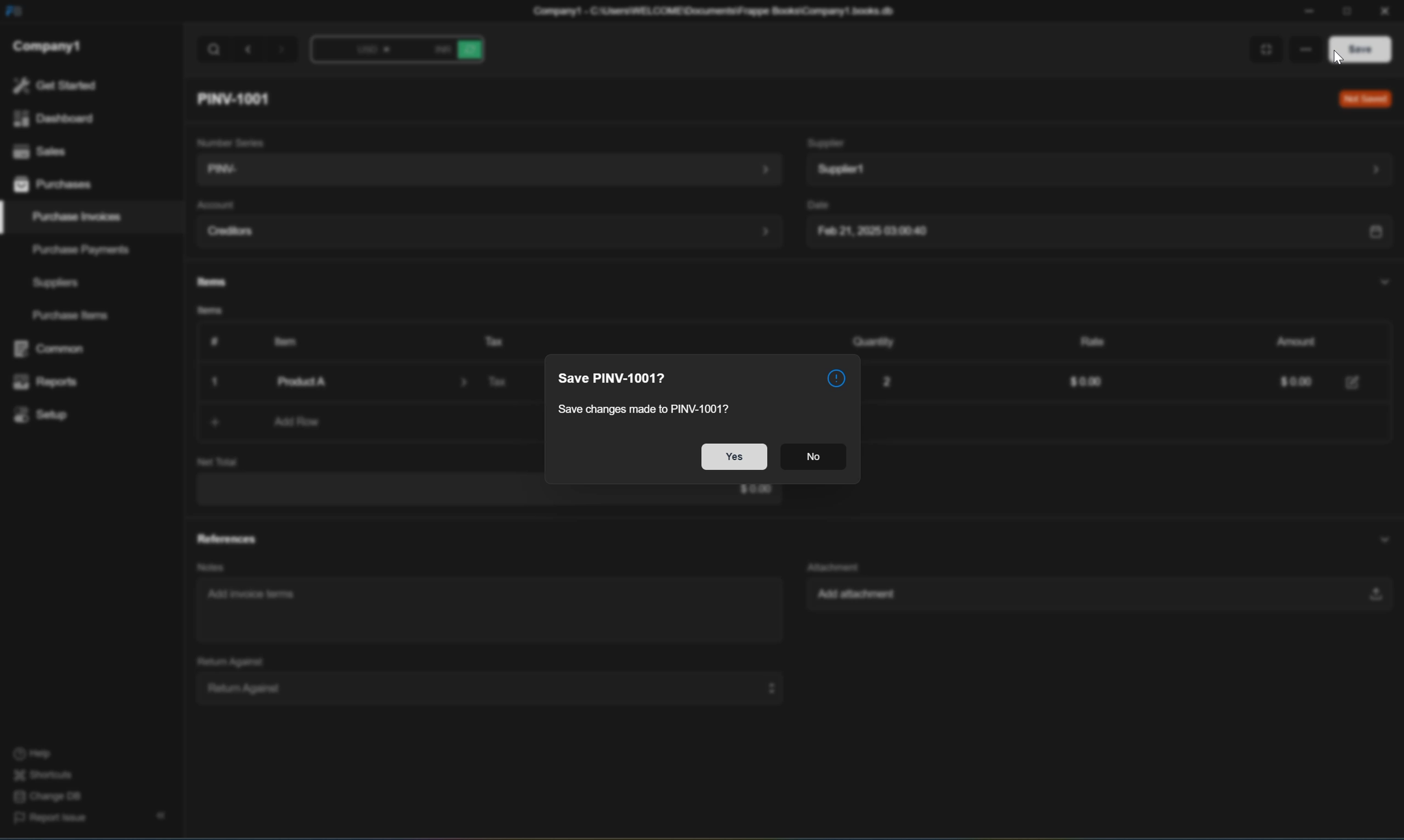  What do you see at coordinates (73, 316) in the screenshot?
I see `purchase items` at bounding box center [73, 316].